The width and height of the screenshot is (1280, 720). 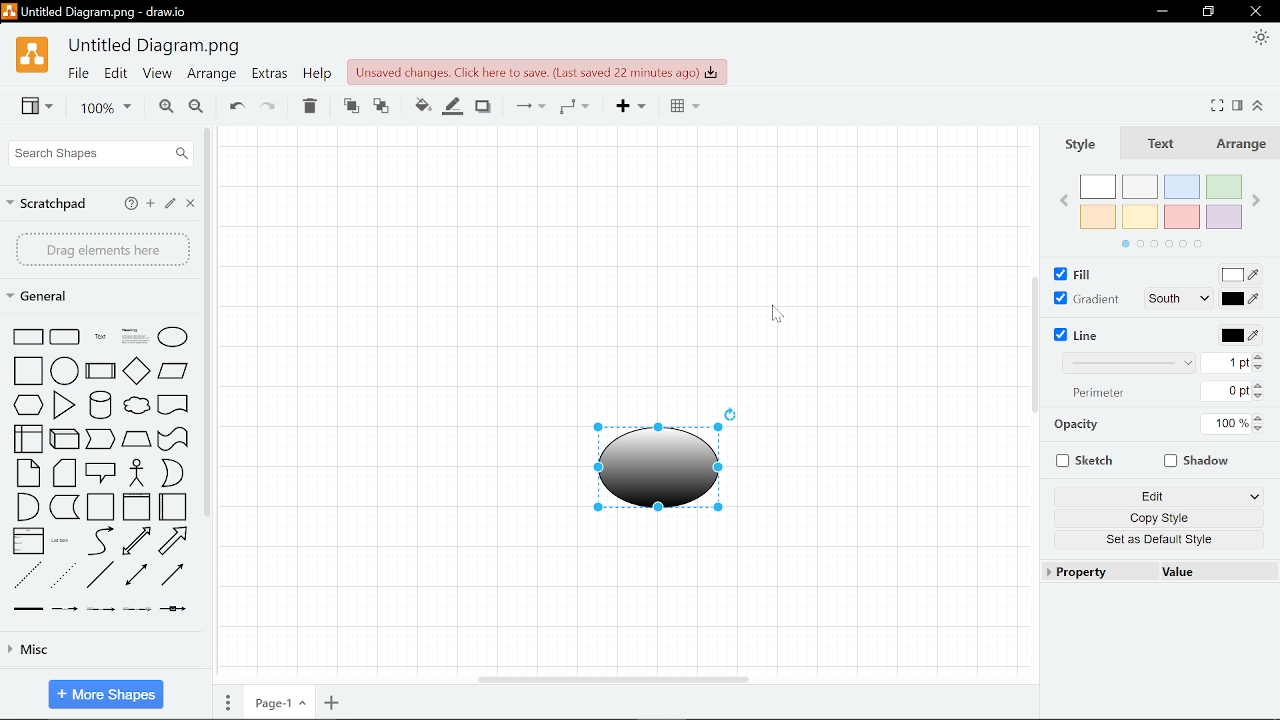 What do you see at coordinates (165, 106) in the screenshot?
I see `Zoom in` at bounding box center [165, 106].